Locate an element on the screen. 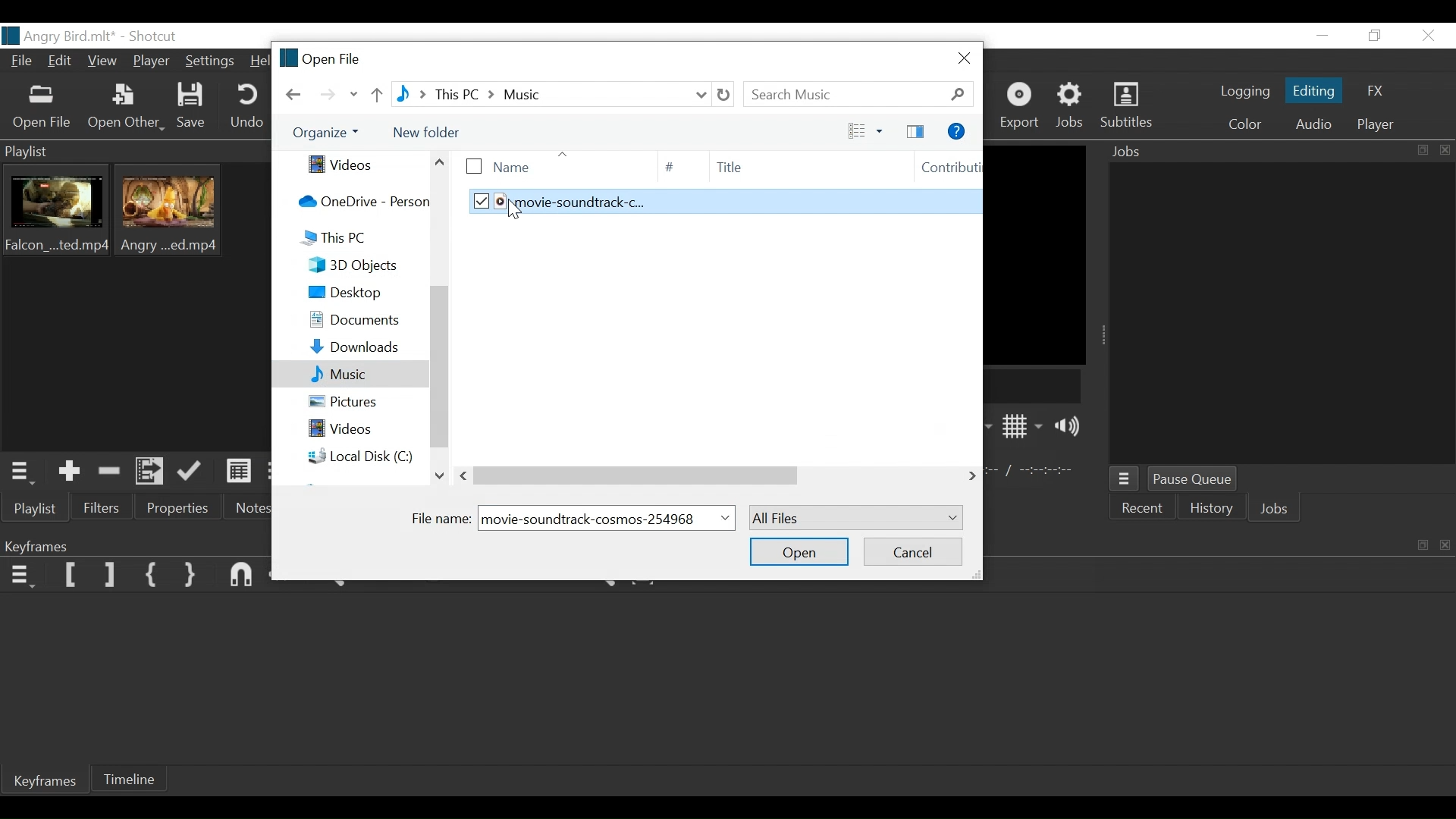 This screenshot has height=819, width=1456. Add the source to the playlist is located at coordinates (72, 470).